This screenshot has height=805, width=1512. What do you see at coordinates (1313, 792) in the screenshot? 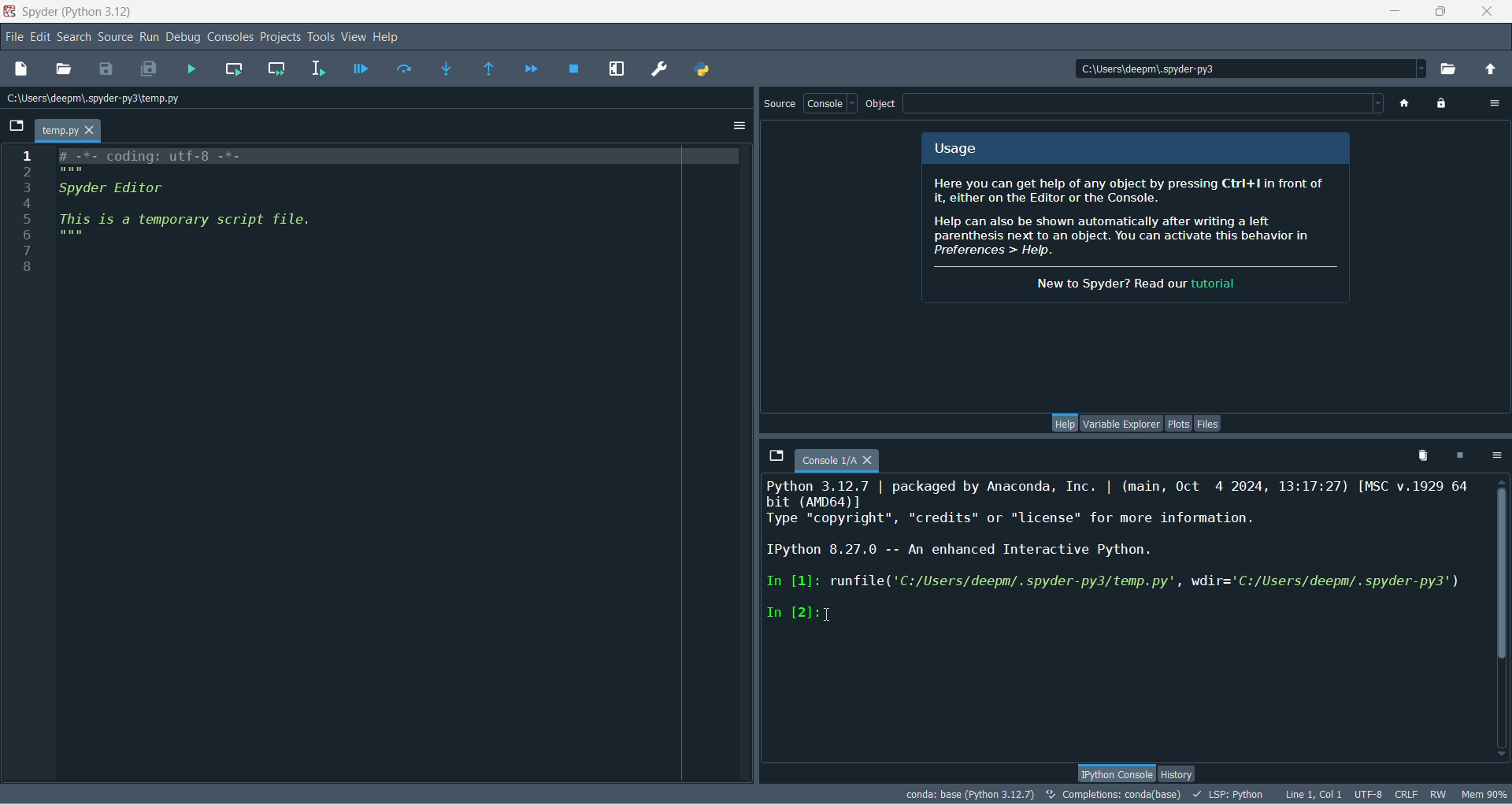
I see `Line, col` at bounding box center [1313, 792].